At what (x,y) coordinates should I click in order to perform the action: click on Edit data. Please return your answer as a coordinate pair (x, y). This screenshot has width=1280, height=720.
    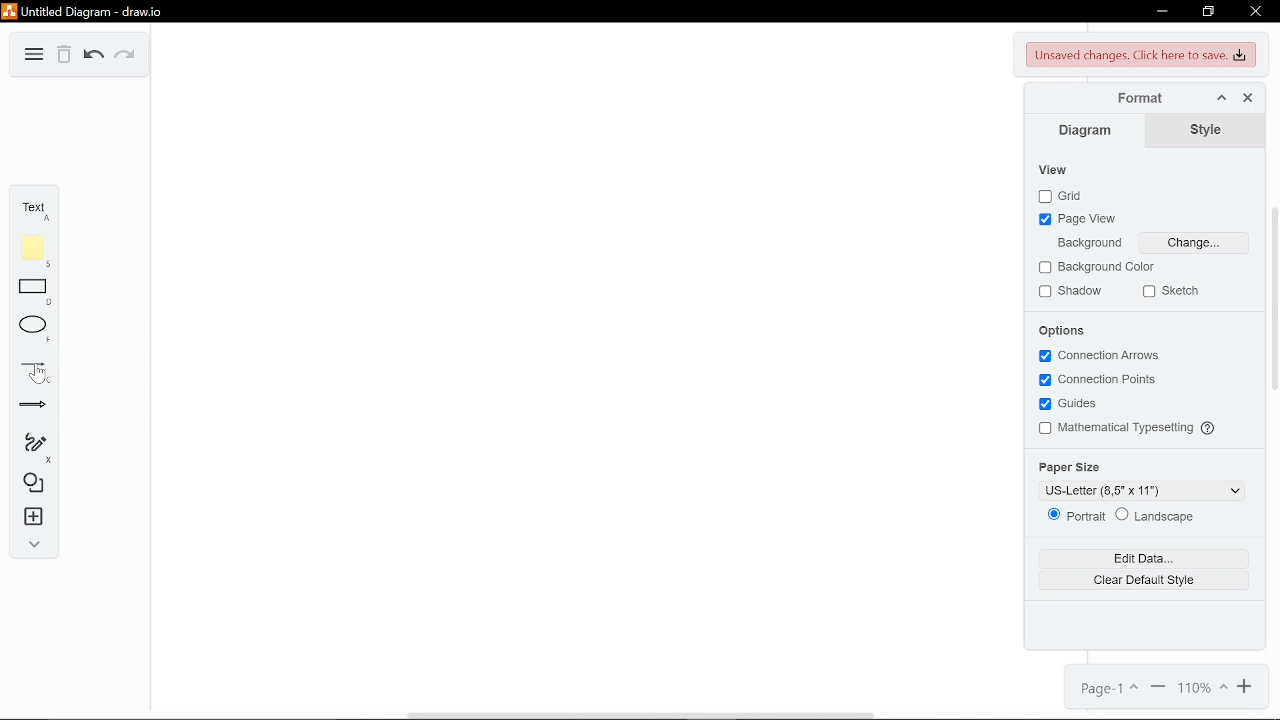
    Looking at the image, I should click on (1132, 556).